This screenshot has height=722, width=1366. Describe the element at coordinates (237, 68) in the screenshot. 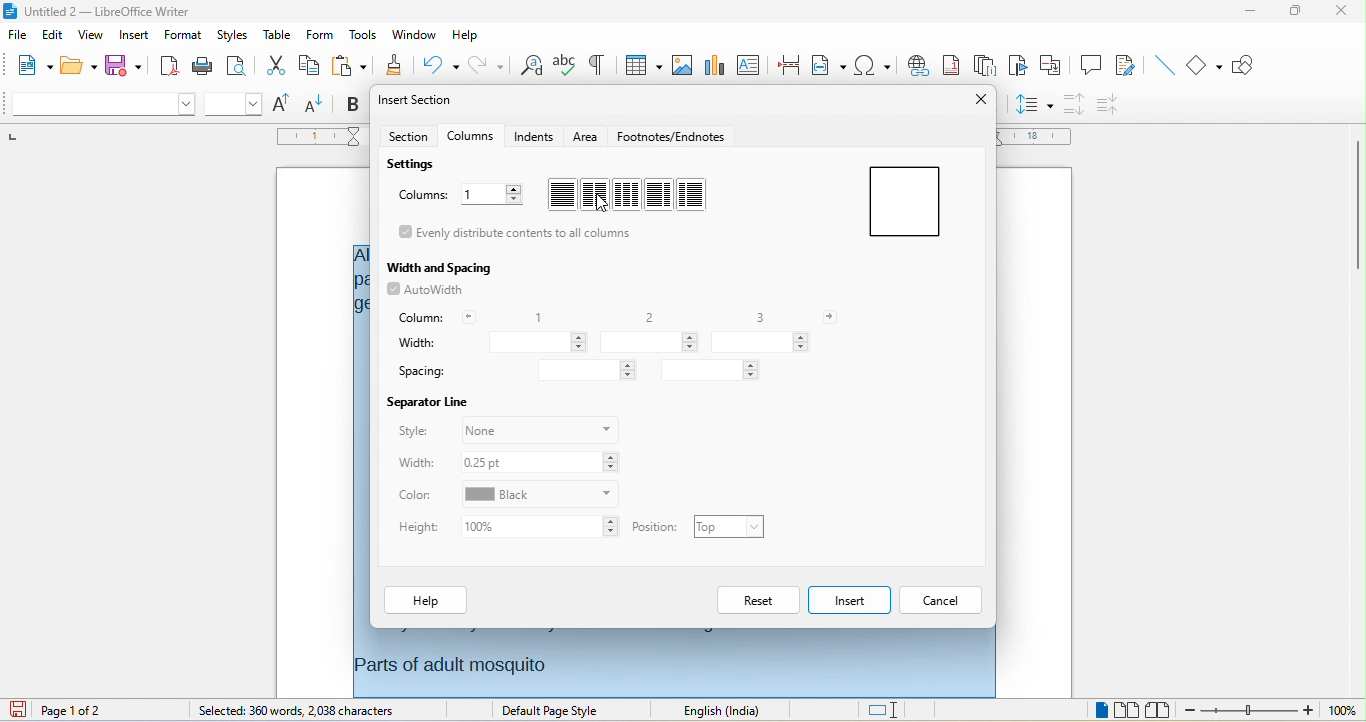

I see `print preview` at that location.